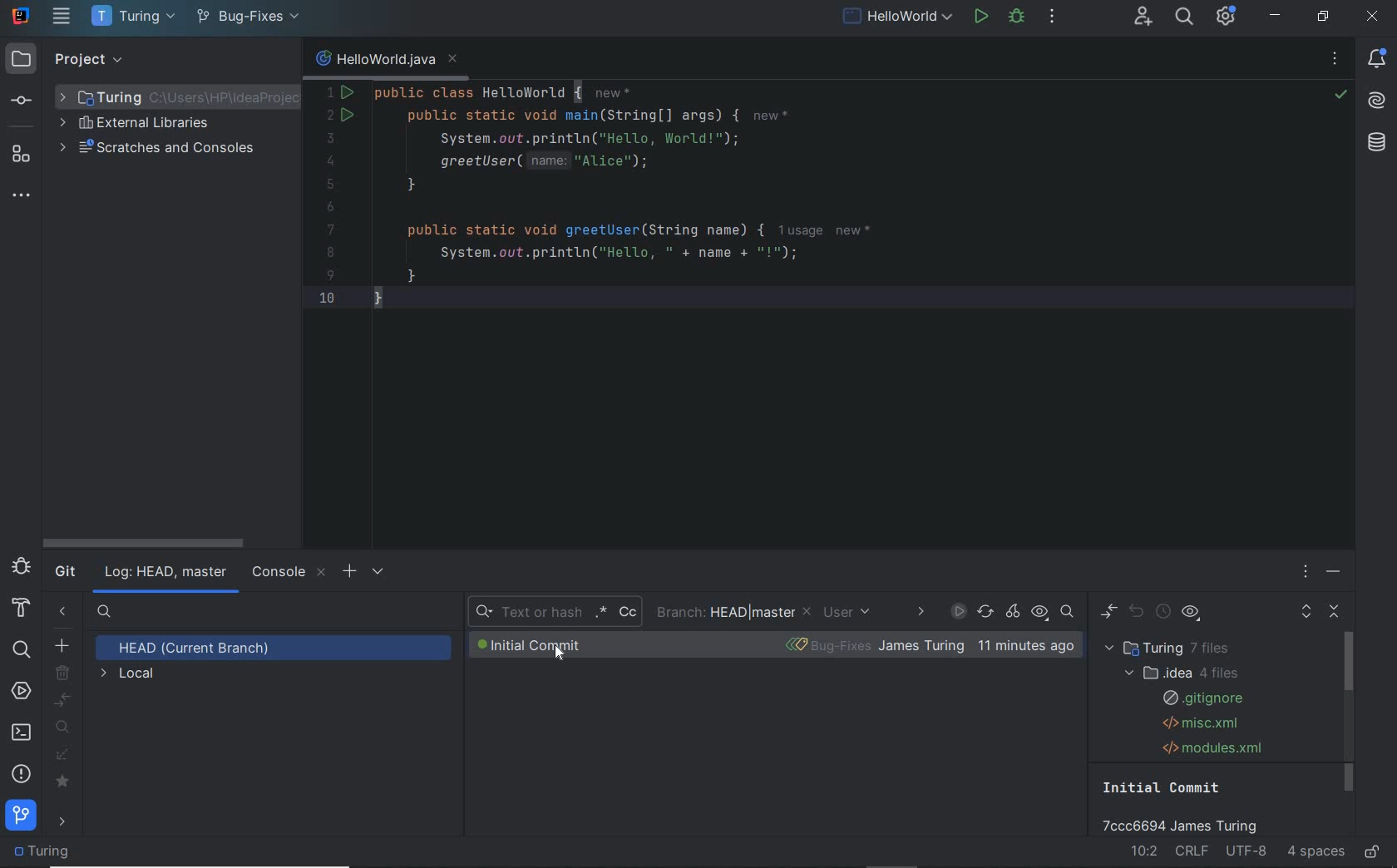 The width and height of the screenshot is (1397, 868). I want to click on .gitignore, so click(1201, 698).